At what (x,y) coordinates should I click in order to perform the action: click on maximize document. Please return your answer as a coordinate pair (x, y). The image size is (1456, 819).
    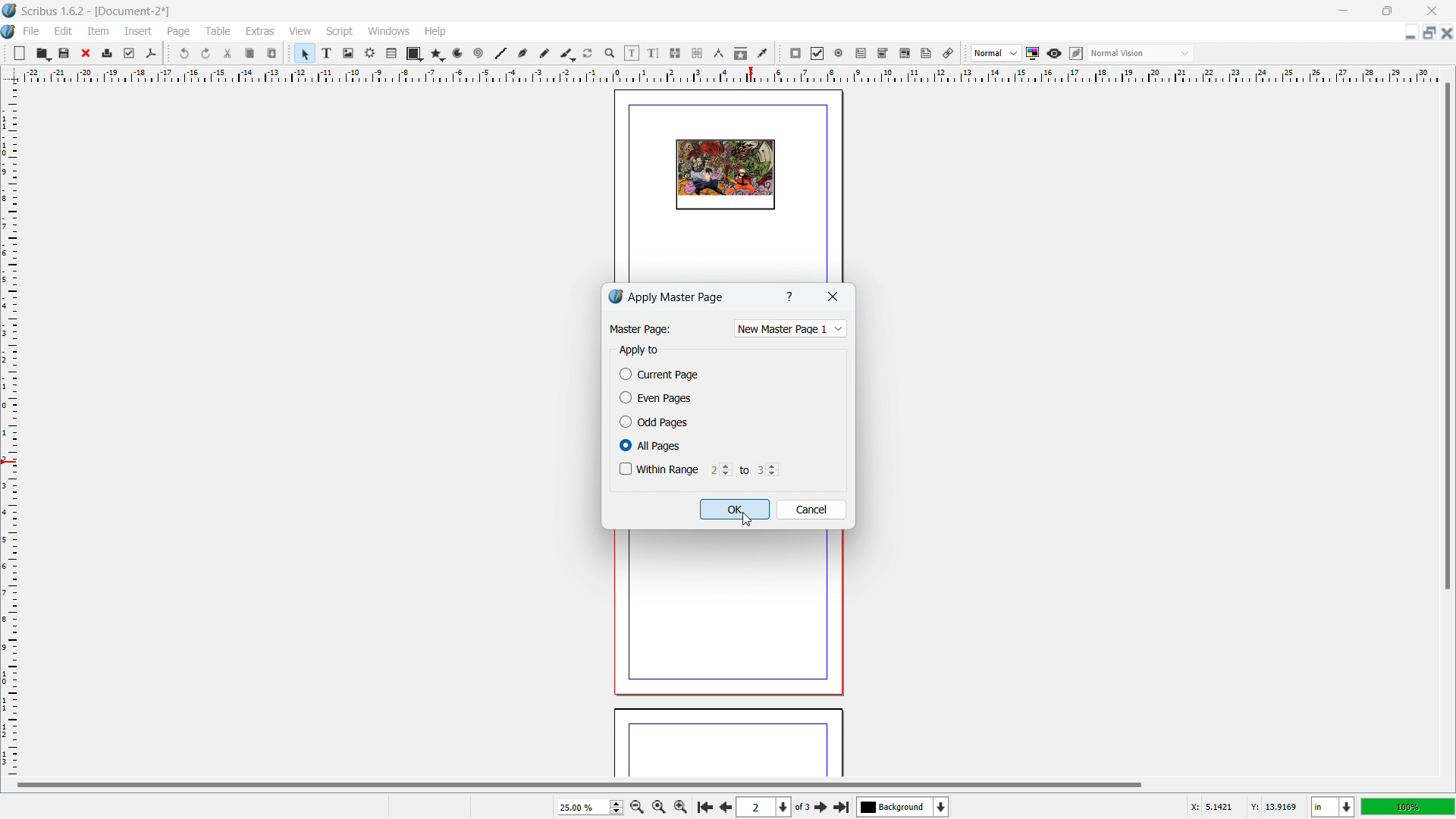
    Looking at the image, I should click on (1427, 33).